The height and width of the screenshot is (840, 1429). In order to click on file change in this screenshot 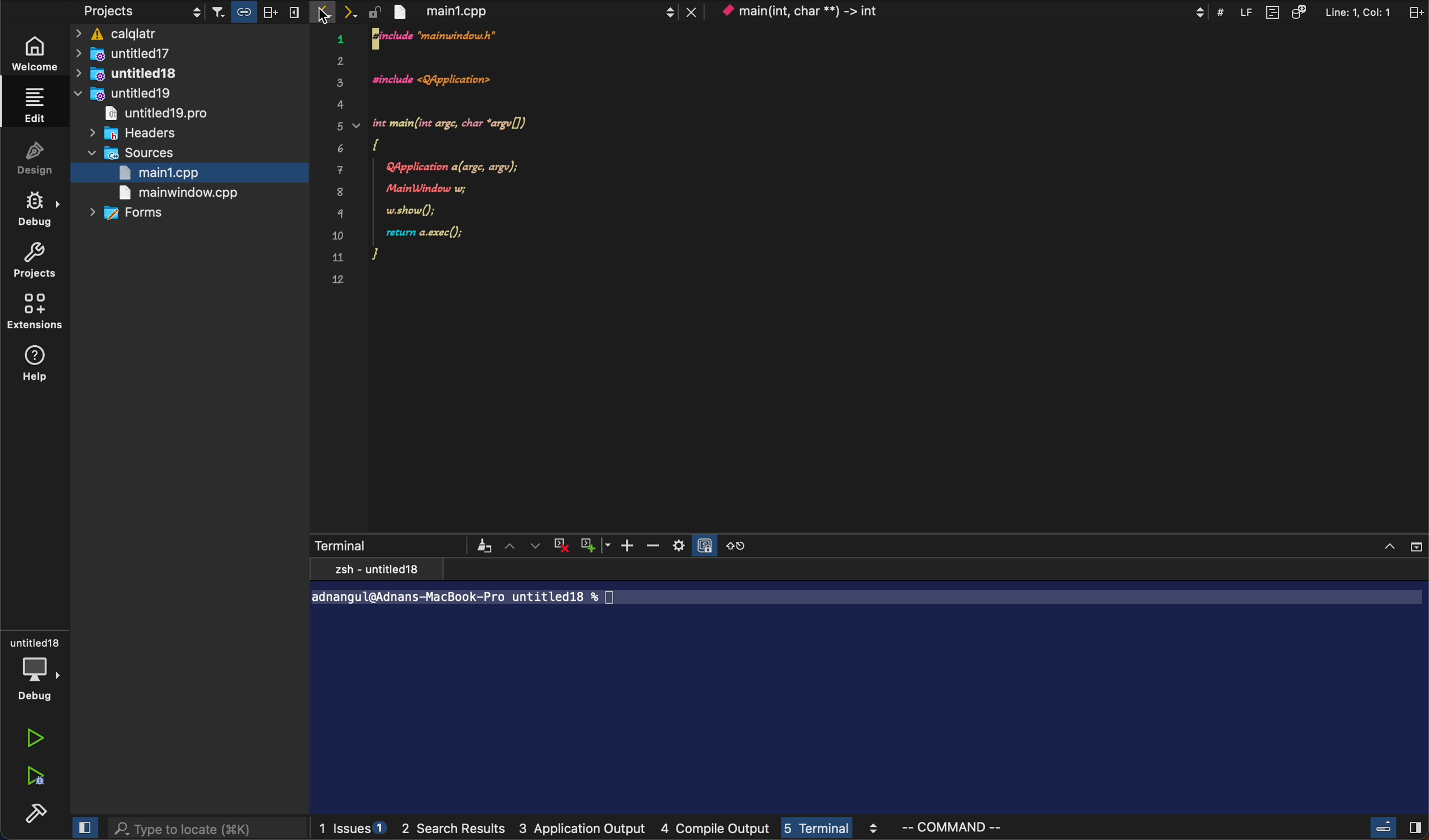, I will do `click(450, 159)`.